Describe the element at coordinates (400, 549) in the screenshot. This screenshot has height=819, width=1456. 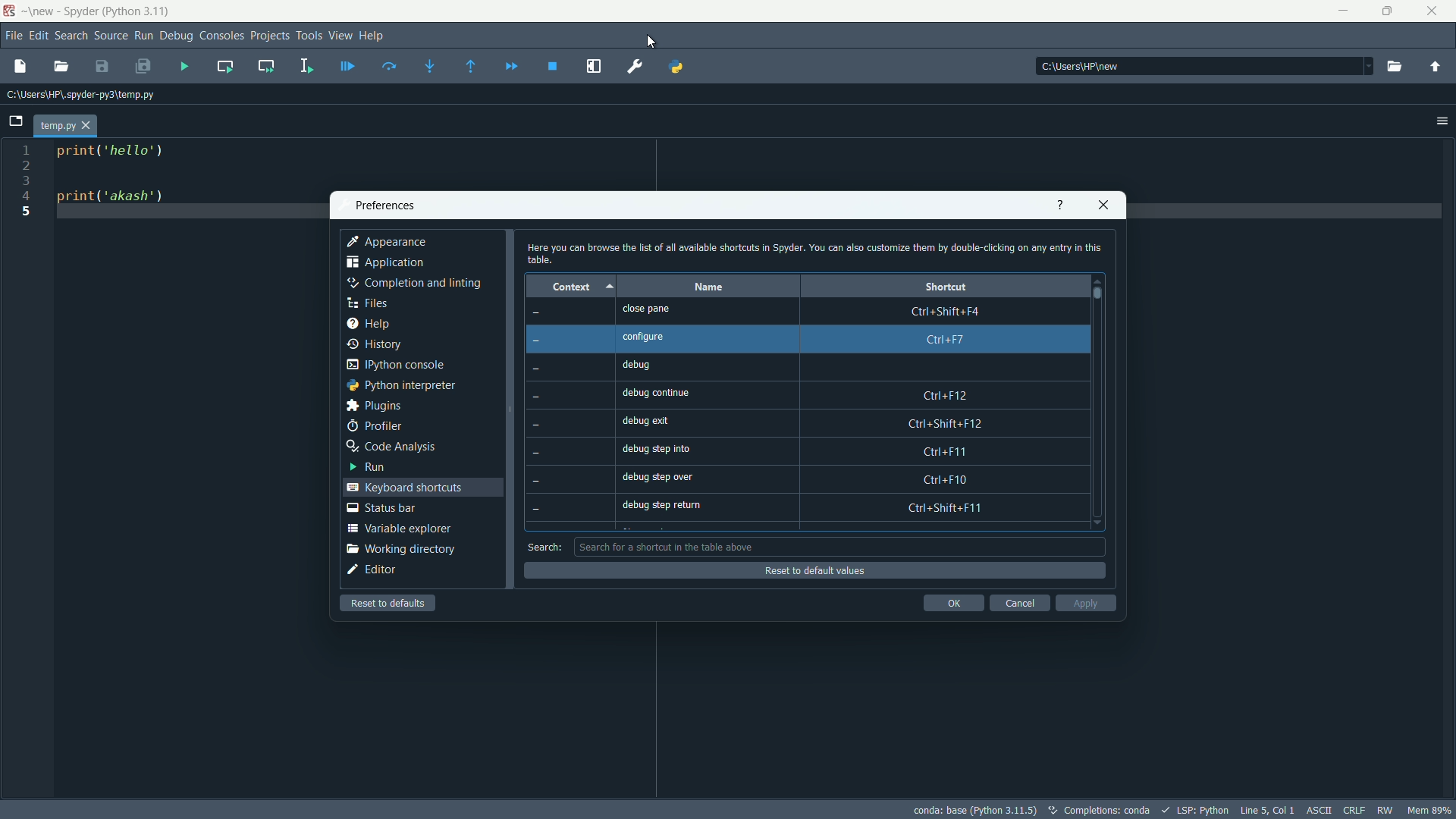
I see `working directory` at that location.